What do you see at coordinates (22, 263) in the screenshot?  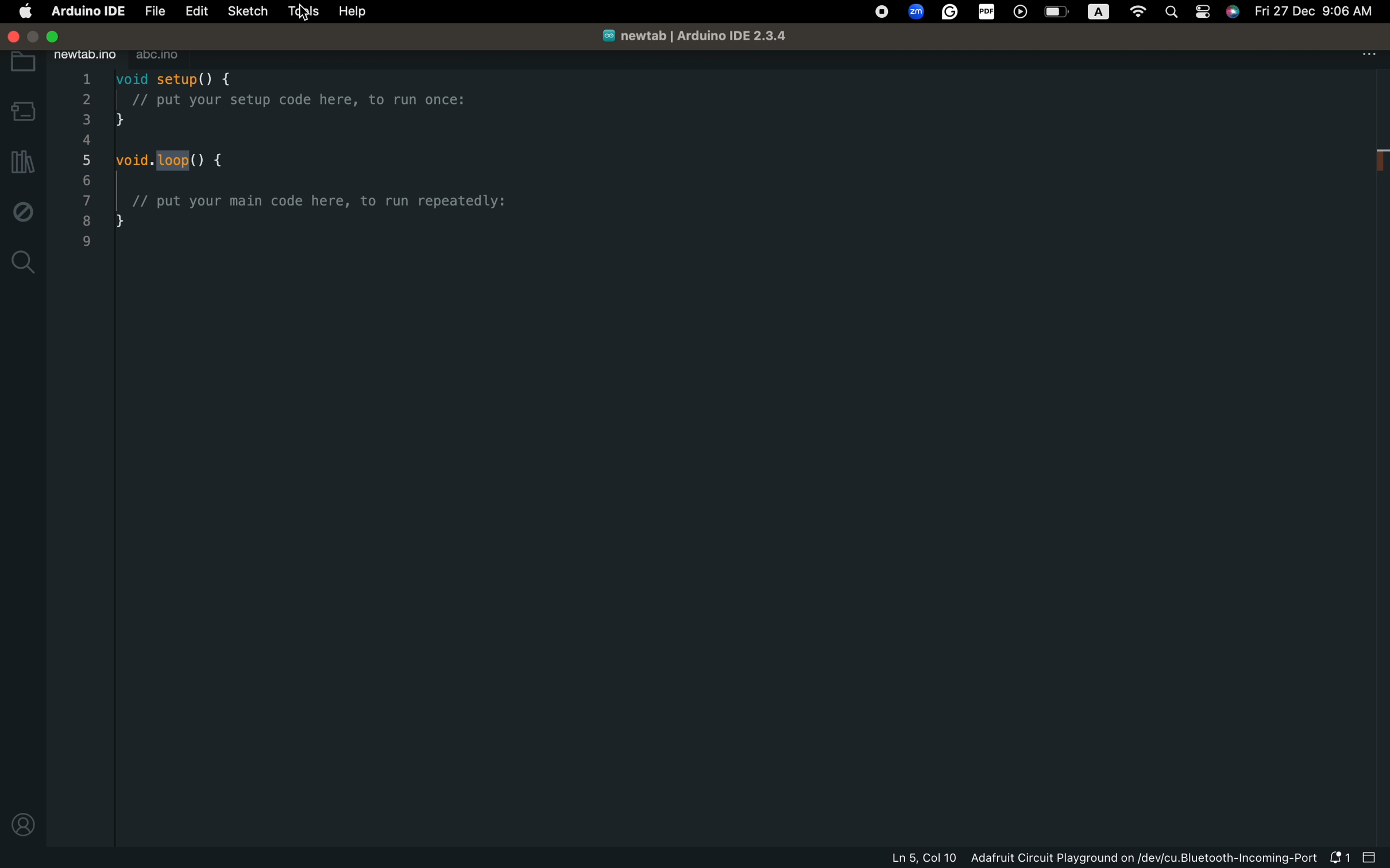 I see `search` at bounding box center [22, 263].